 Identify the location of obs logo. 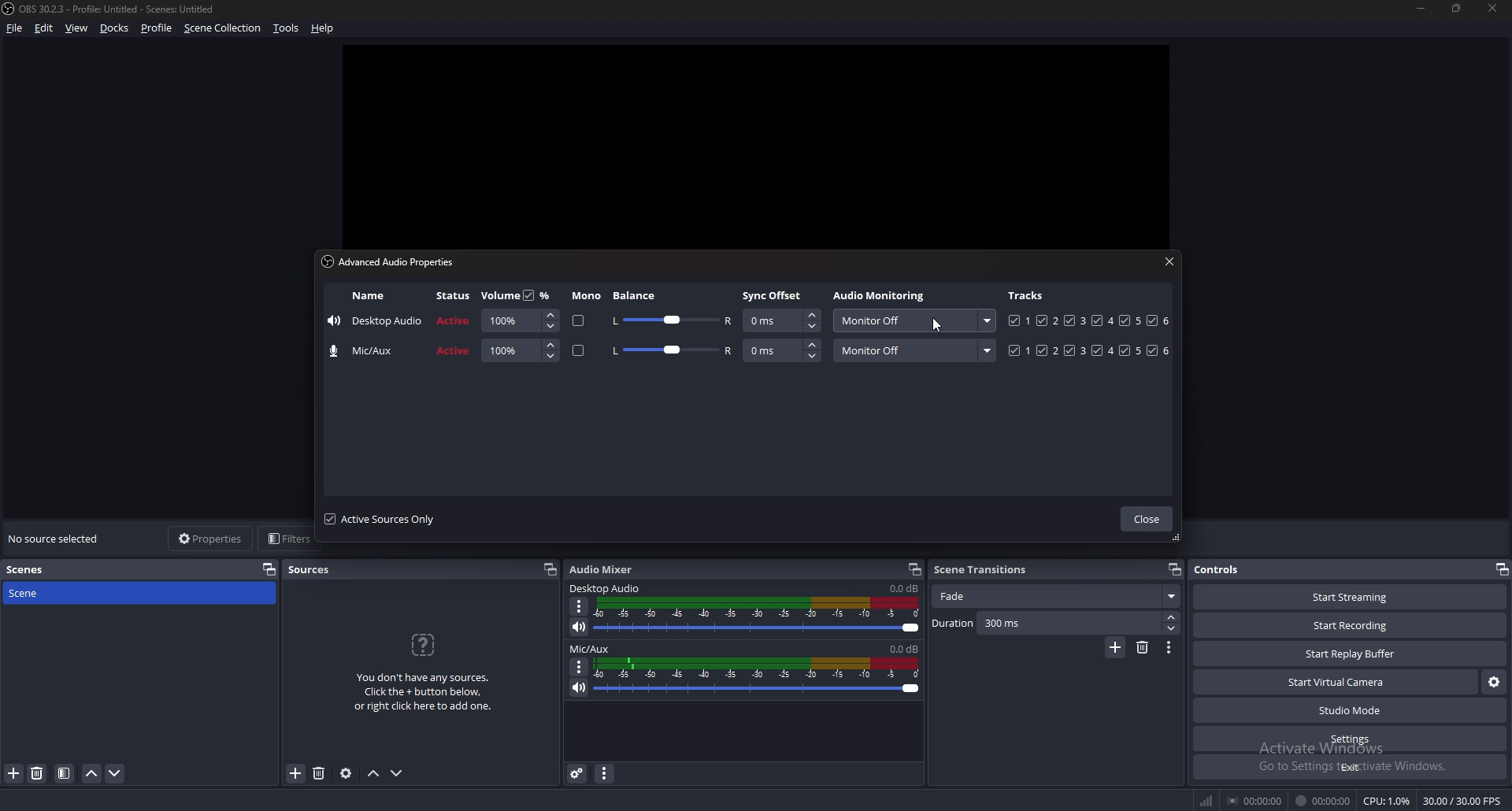
(10, 9).